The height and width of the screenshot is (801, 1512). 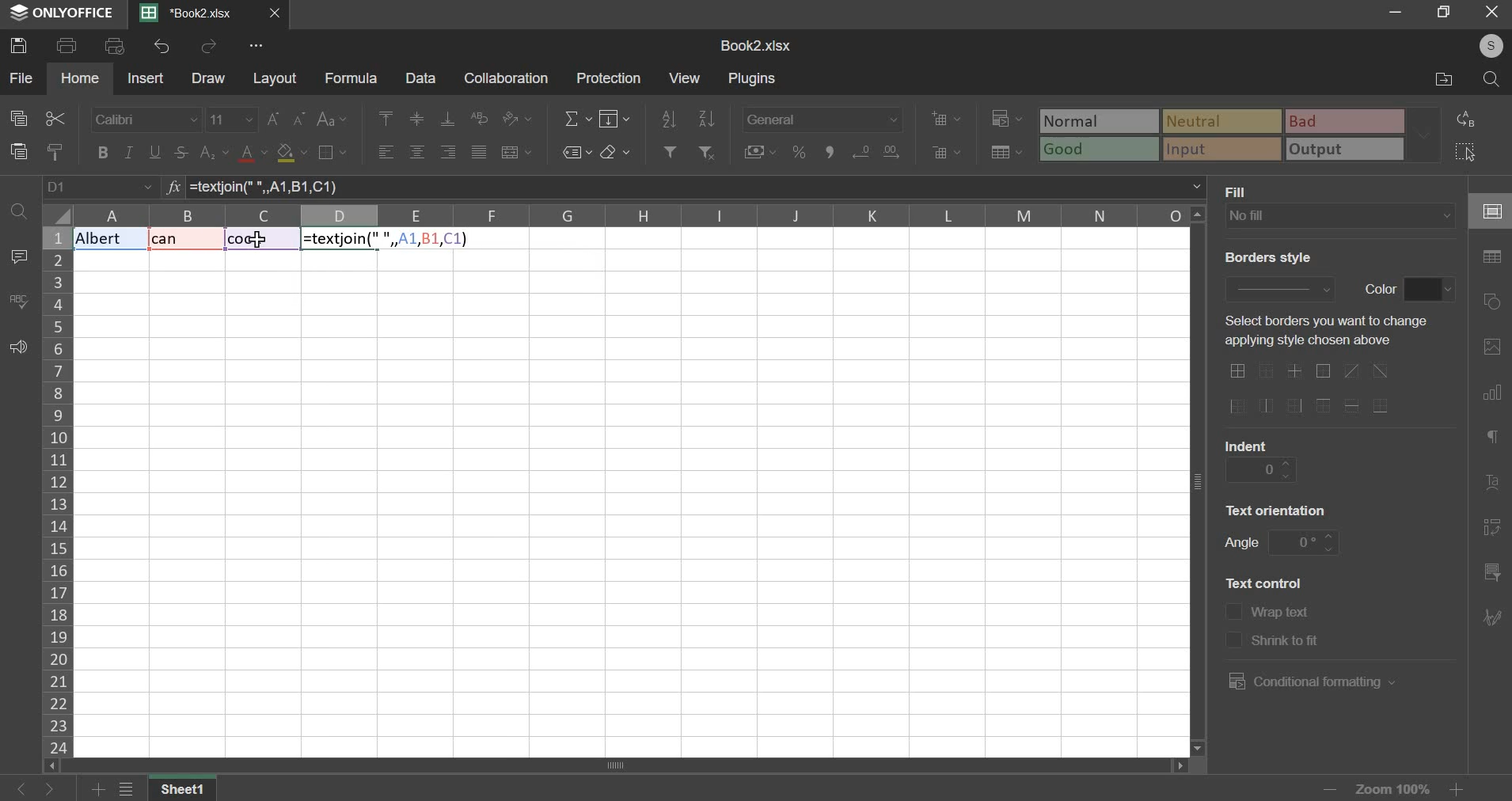 I want to click on fill type, so click(x=1340, y=216).